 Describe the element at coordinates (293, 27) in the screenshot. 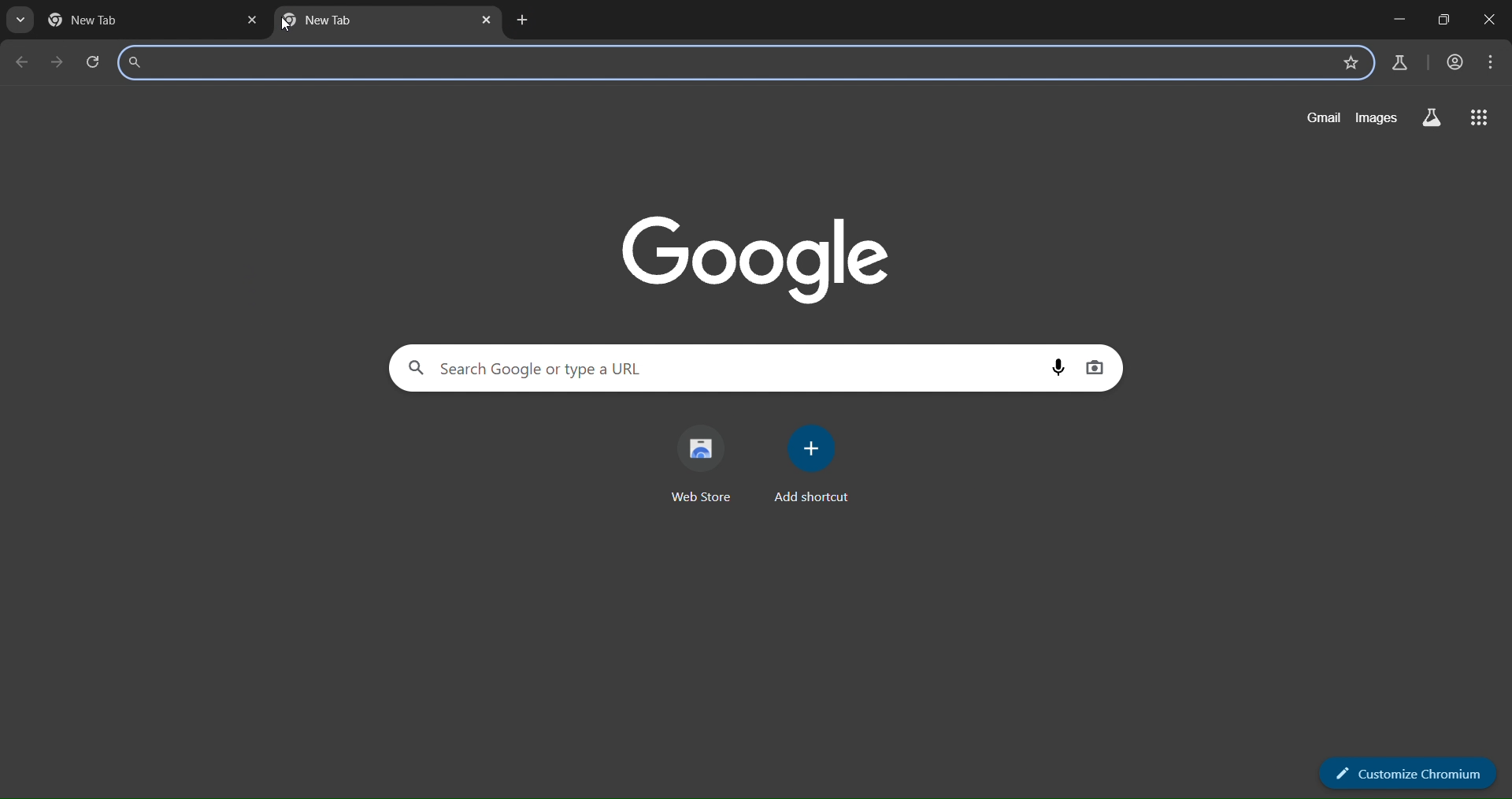

I see `cursor` at that location.